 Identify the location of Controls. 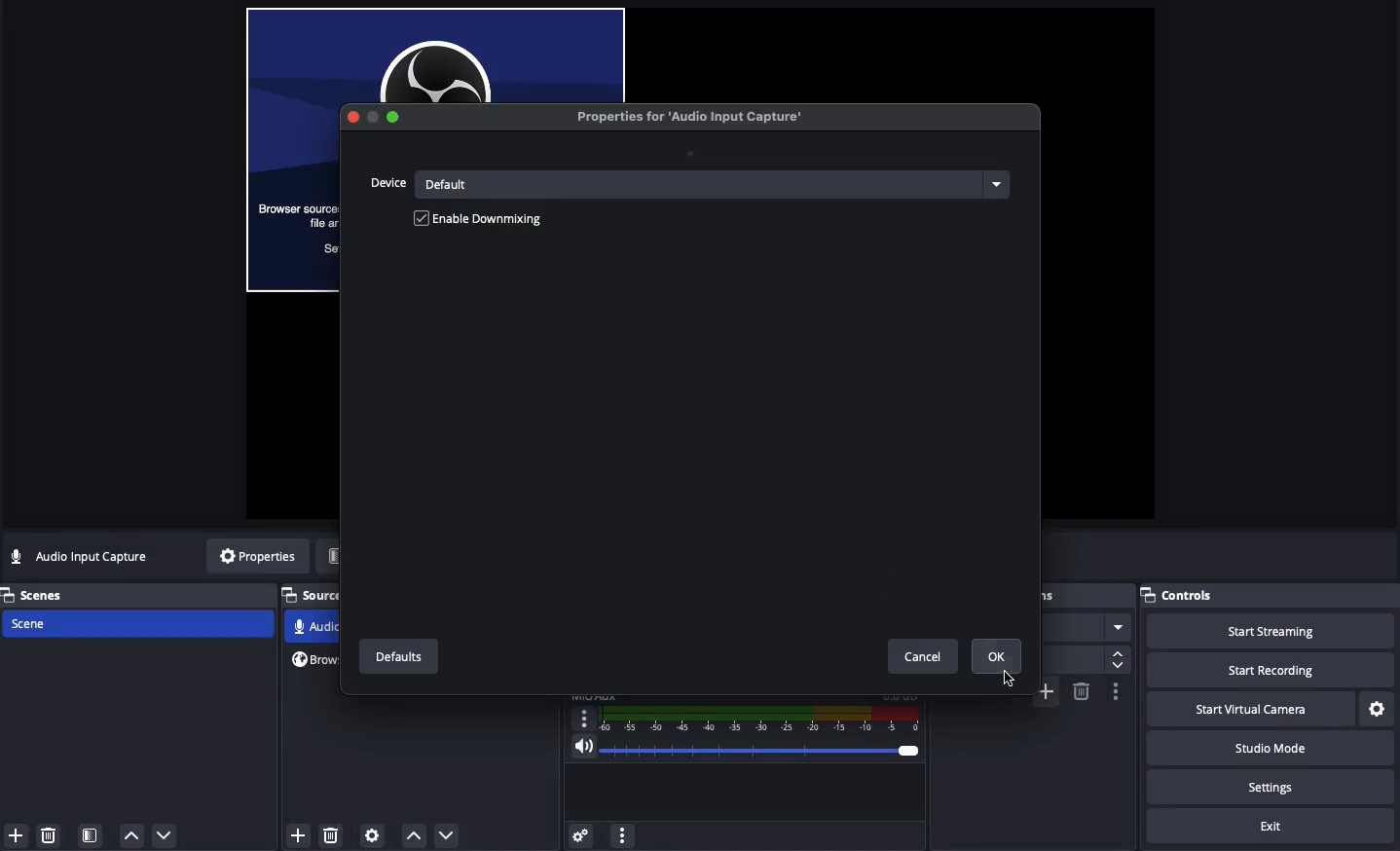
(1185, 596).